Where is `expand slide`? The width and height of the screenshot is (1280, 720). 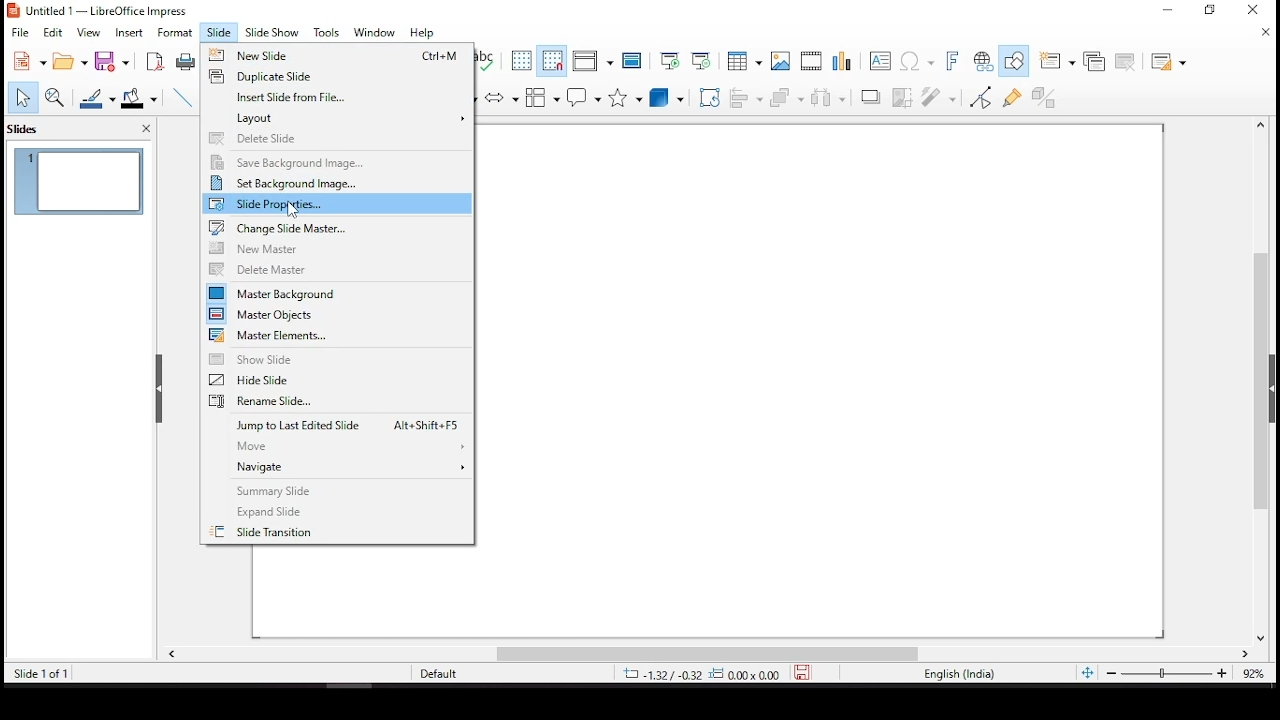 expand slide is located at coordinates (340, 511).